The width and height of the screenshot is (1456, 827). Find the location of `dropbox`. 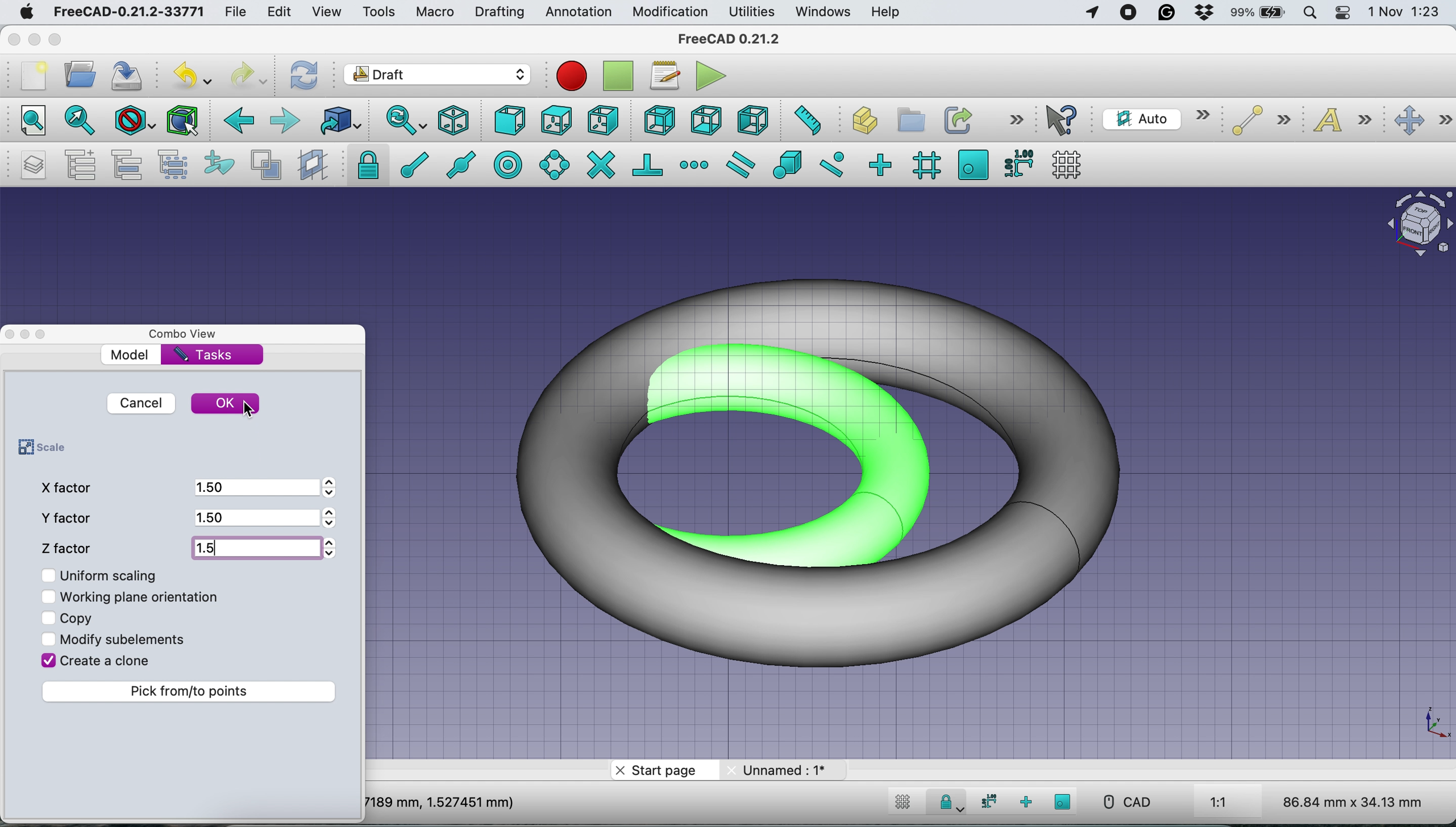

dropbox is located at coordinates (1203, 12).